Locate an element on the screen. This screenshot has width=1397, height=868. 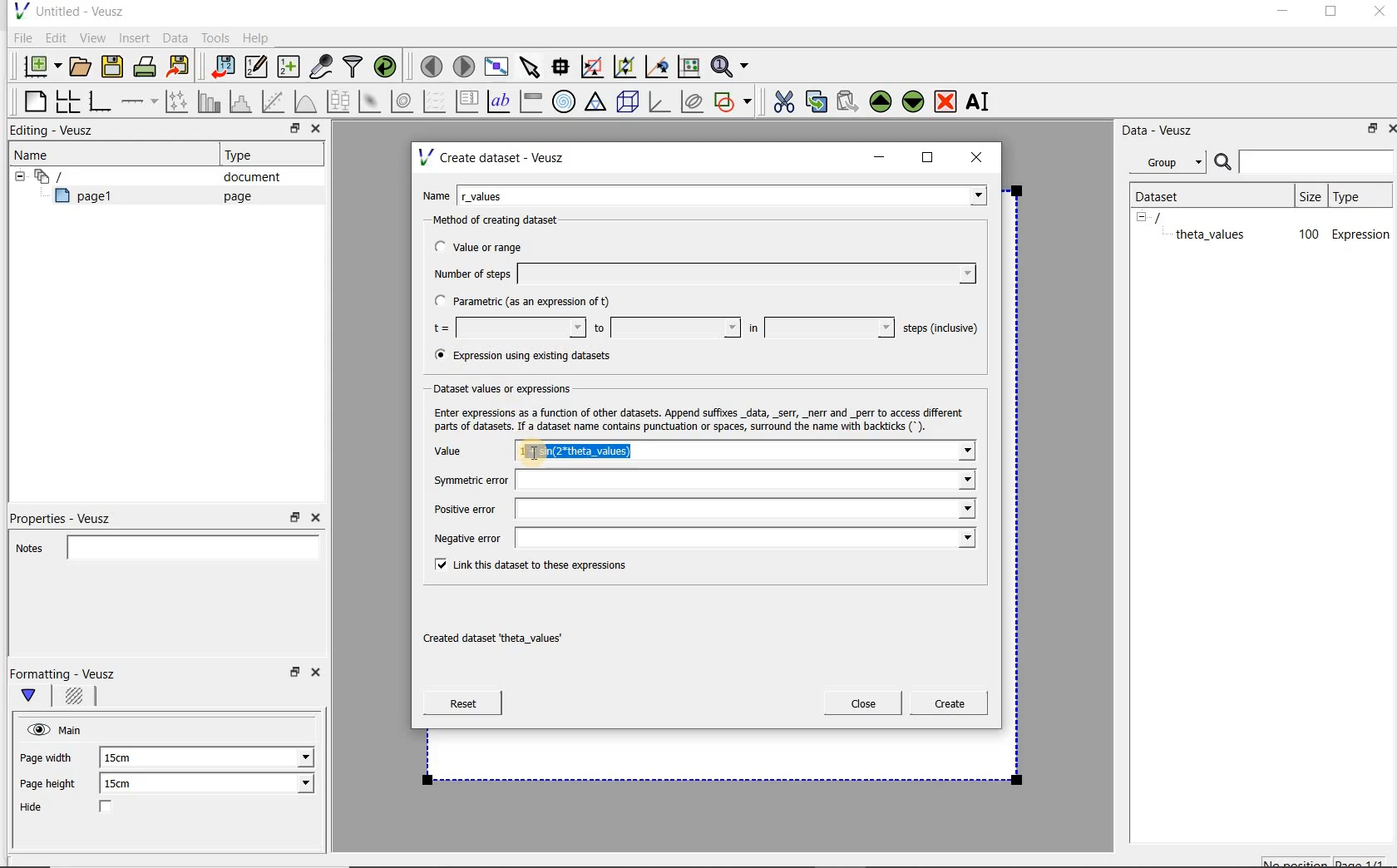
Help is located at coordinates (258, 37).